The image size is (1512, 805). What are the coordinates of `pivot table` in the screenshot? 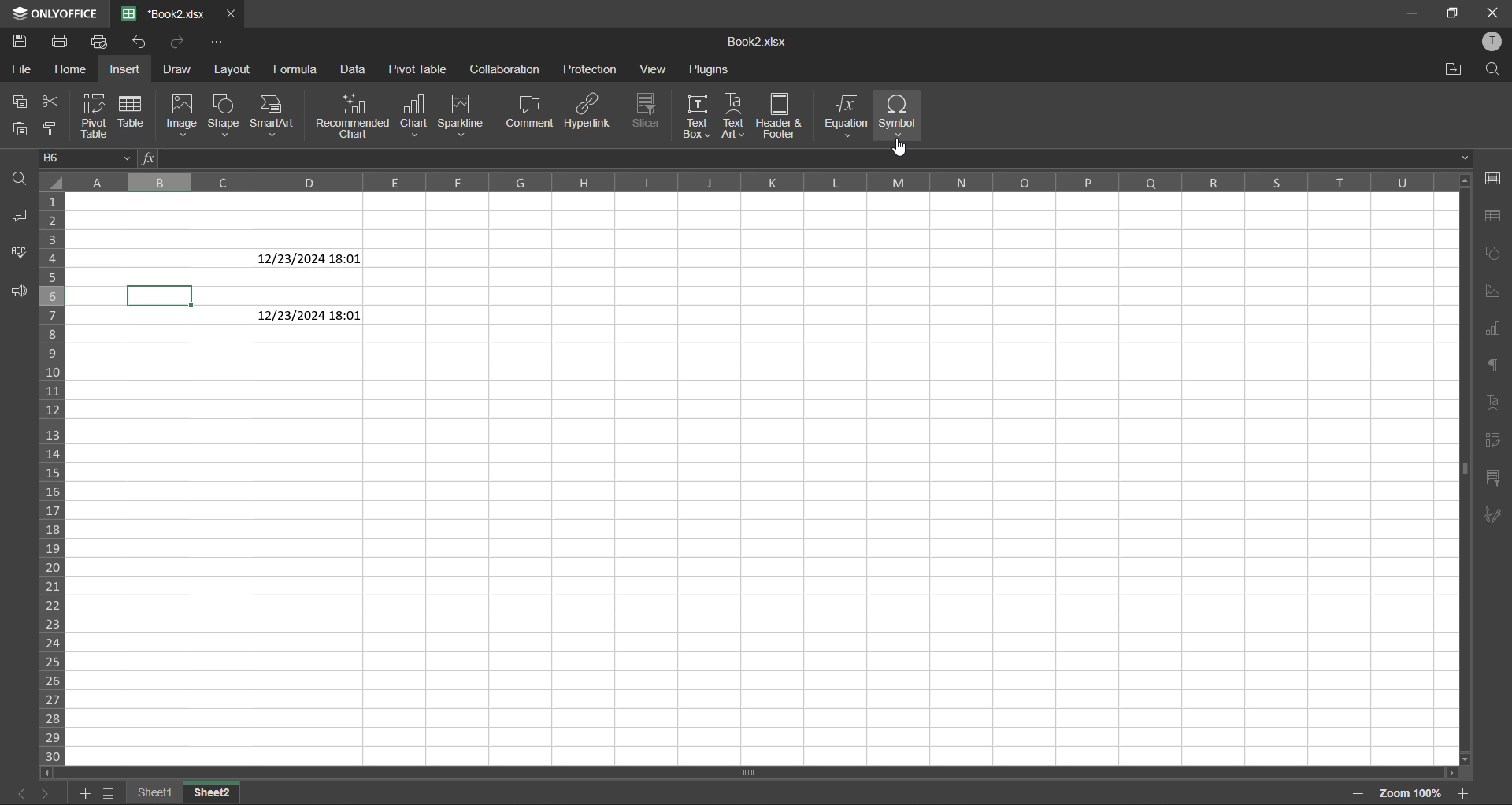 It's located at (94, 116).